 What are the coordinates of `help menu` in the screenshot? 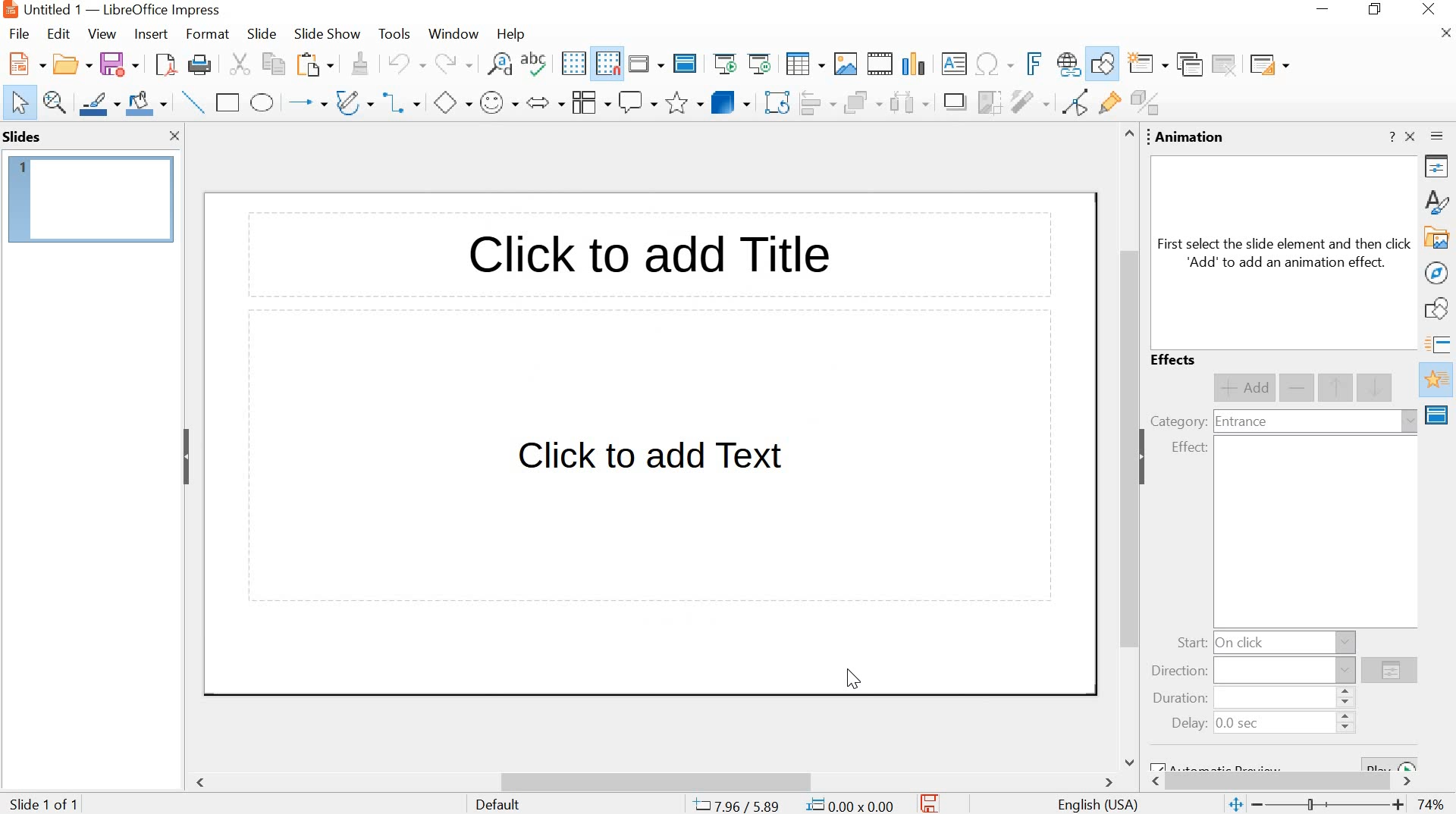 It's located at (510, 34).